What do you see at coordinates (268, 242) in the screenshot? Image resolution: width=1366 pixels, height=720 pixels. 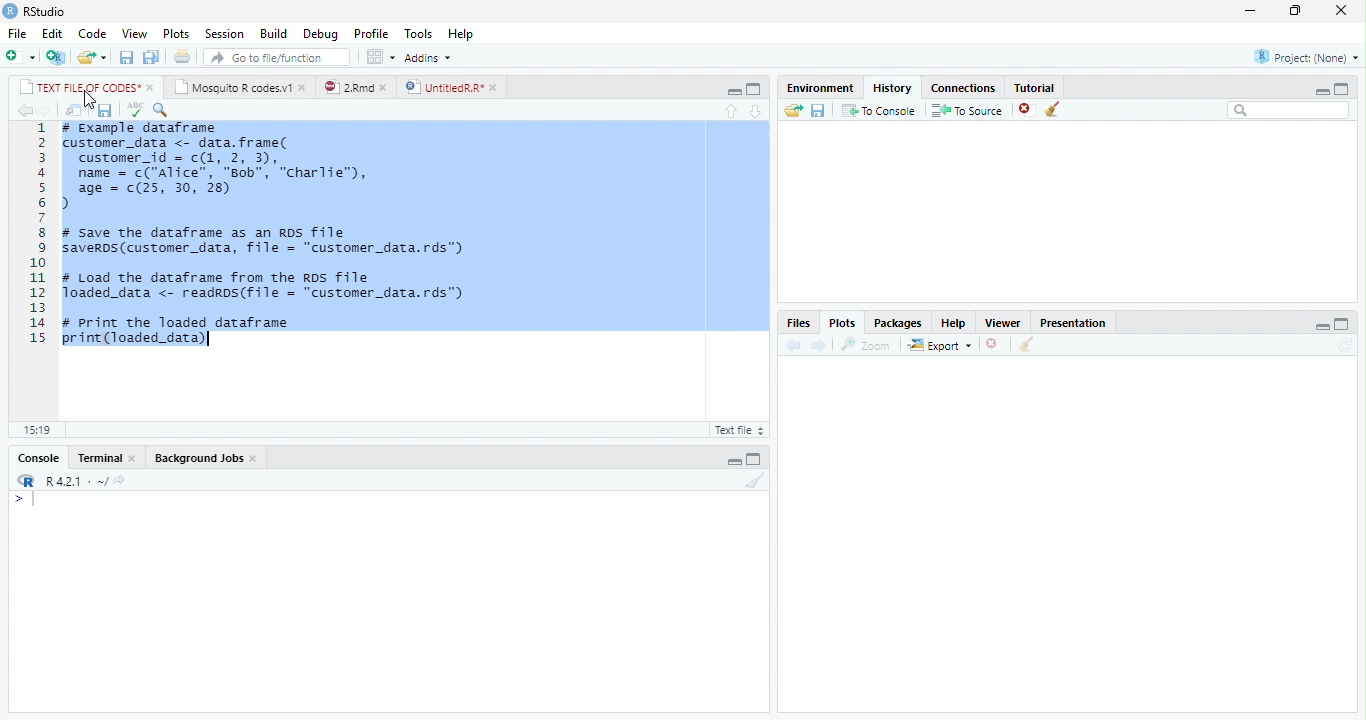 I see `# Save the dataframe as an RDS file
saverDs(customer_data, file = "customer_data.rds")` at bounding box center [268, 242].